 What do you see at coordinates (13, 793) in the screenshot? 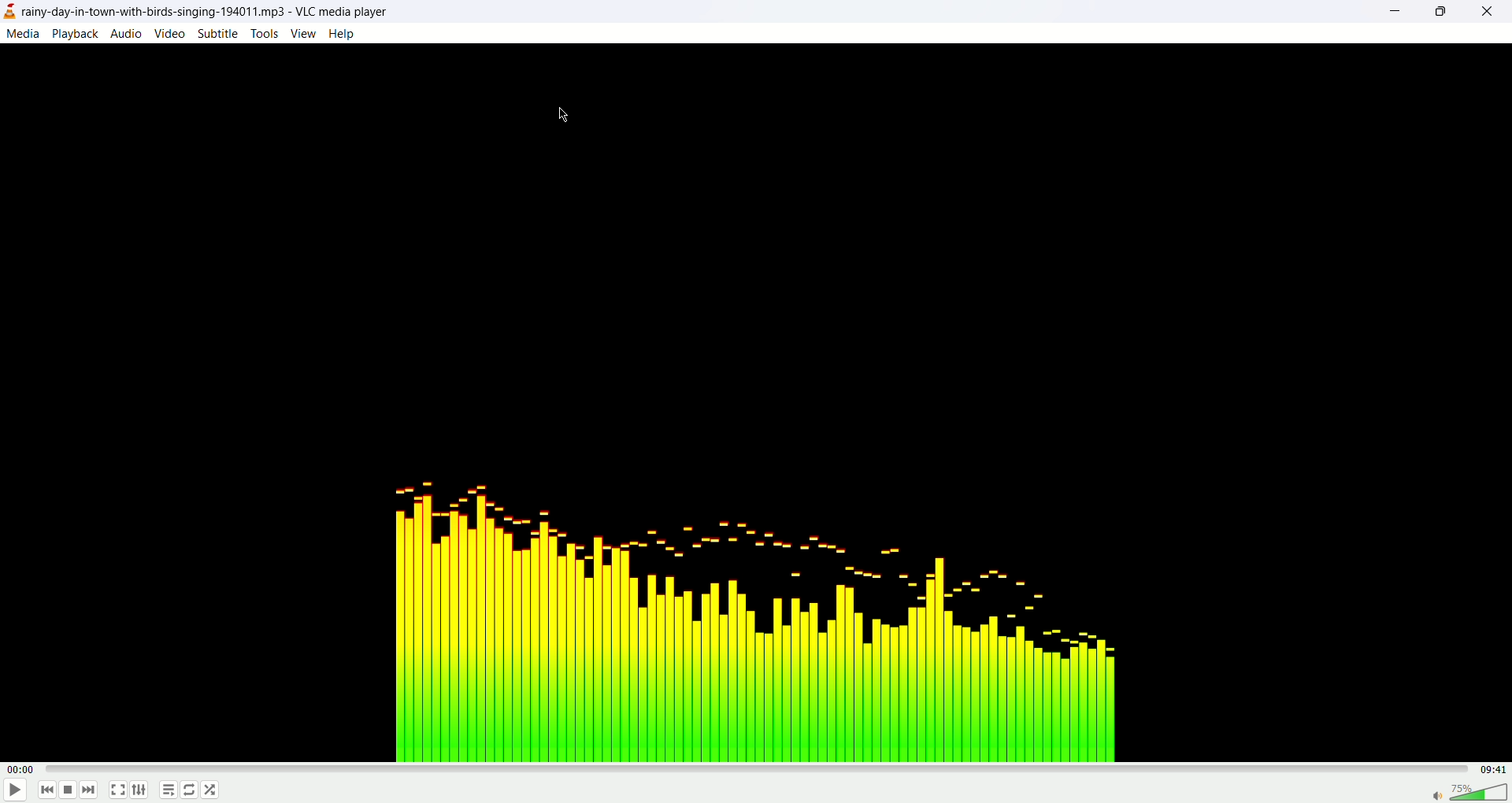
I see `play/pause` at bounding box center [13, 793].